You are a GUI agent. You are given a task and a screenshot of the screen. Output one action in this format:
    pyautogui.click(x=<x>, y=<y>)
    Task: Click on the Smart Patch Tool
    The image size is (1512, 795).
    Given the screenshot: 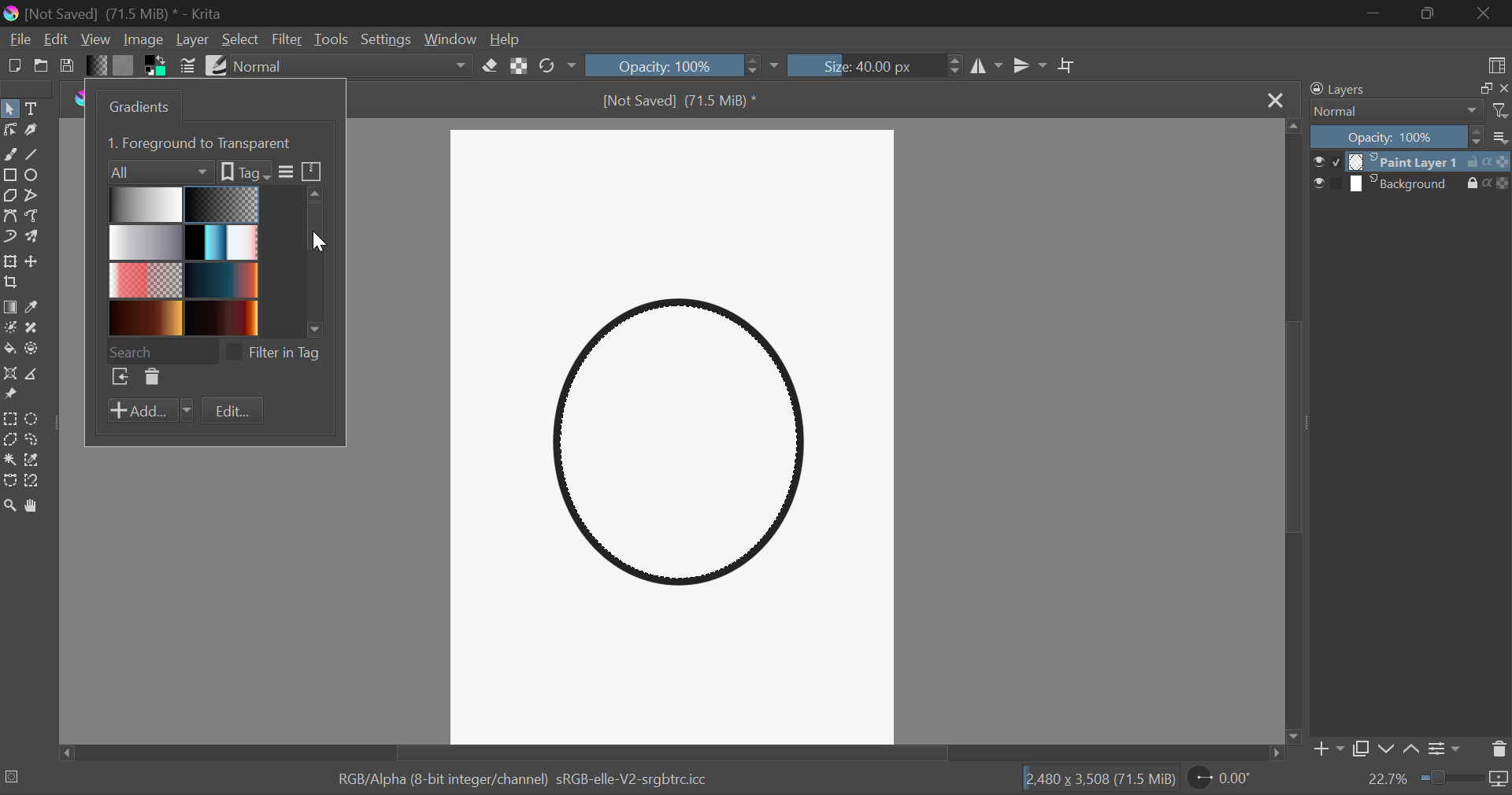 What is the action you would take?
    pyautogui.click(x=35, y=329)
    